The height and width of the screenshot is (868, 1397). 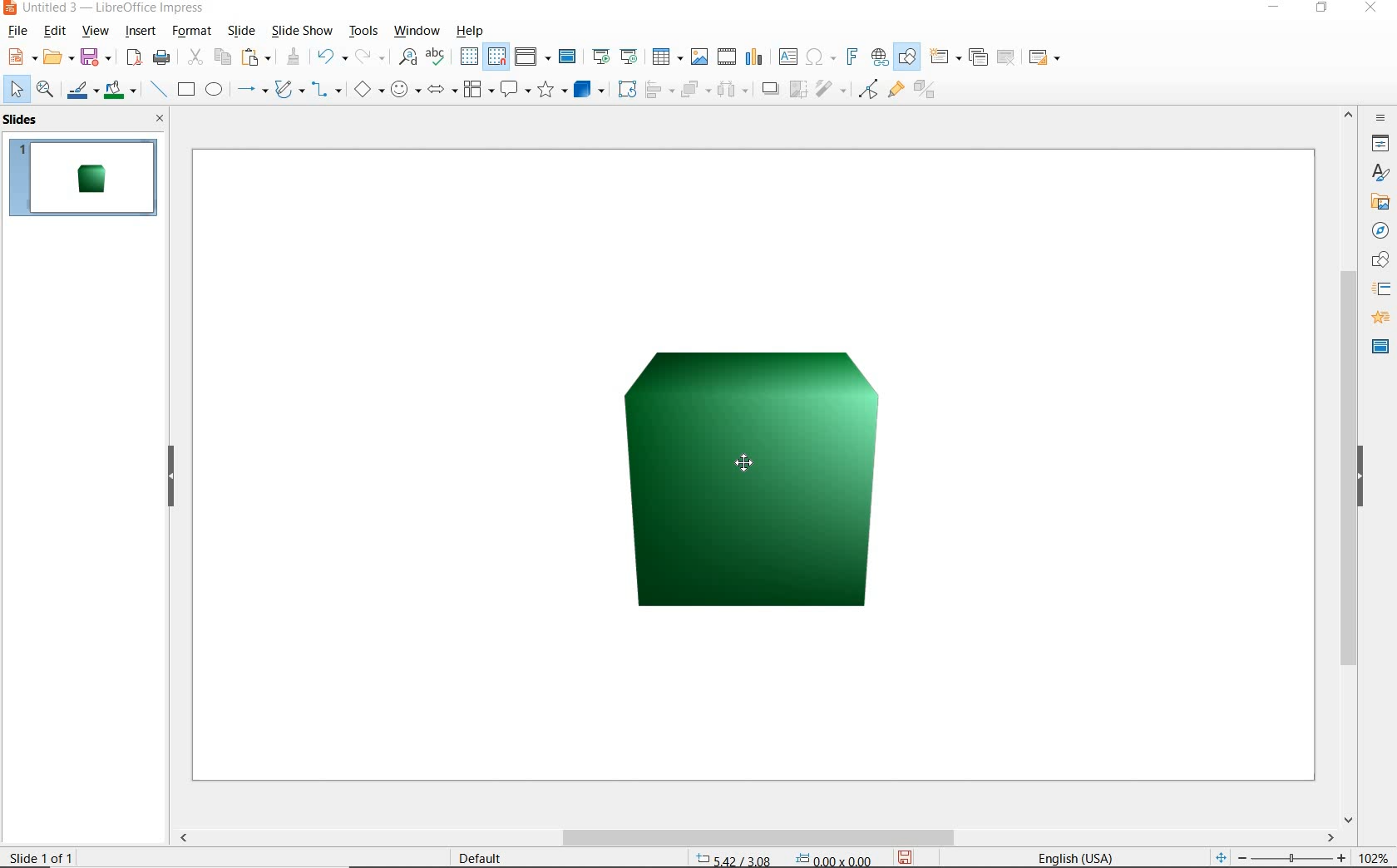 I want to click on stars and banners, so click(x=553, y=92).